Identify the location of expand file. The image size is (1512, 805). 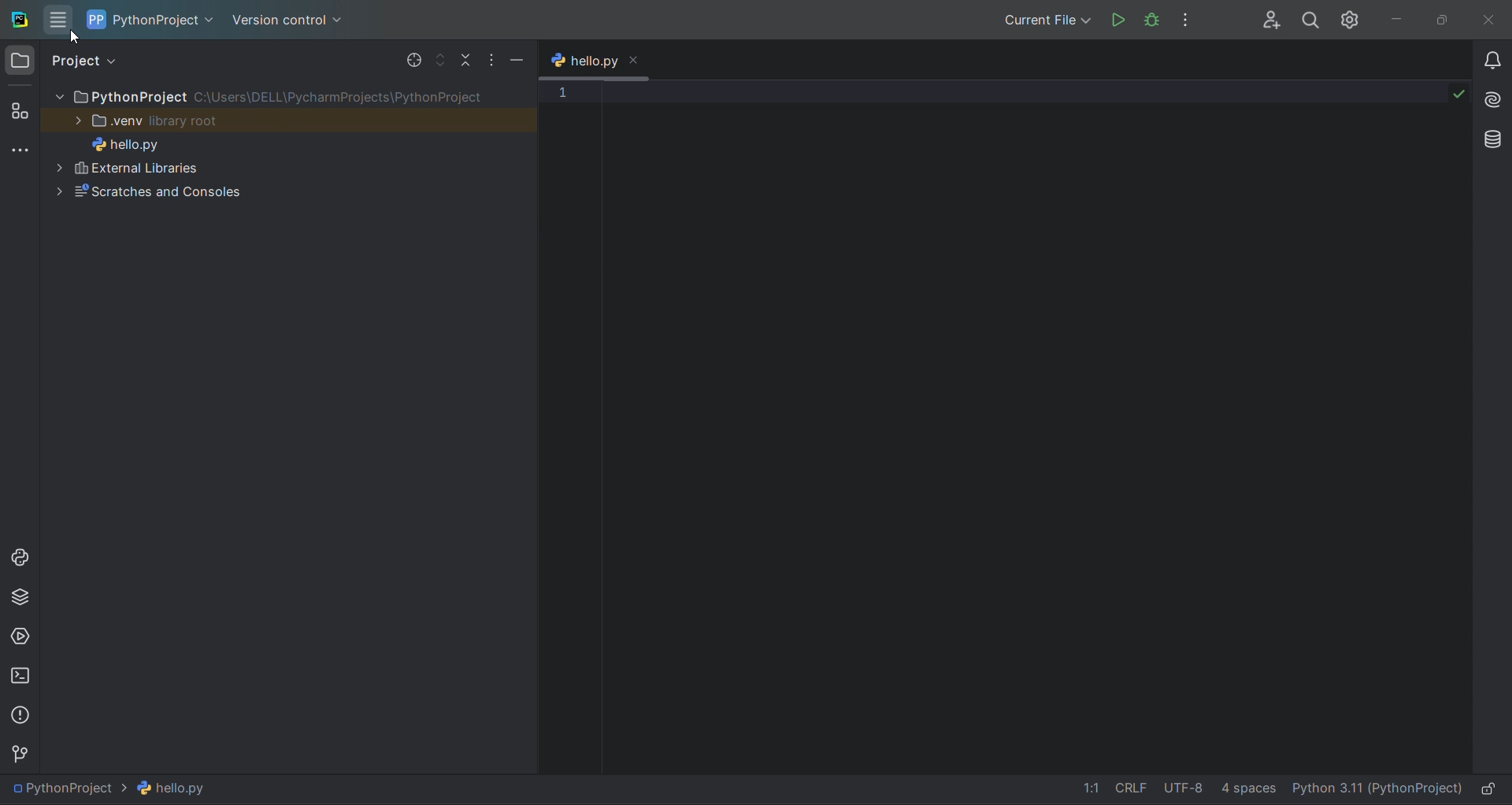
(439, 62).